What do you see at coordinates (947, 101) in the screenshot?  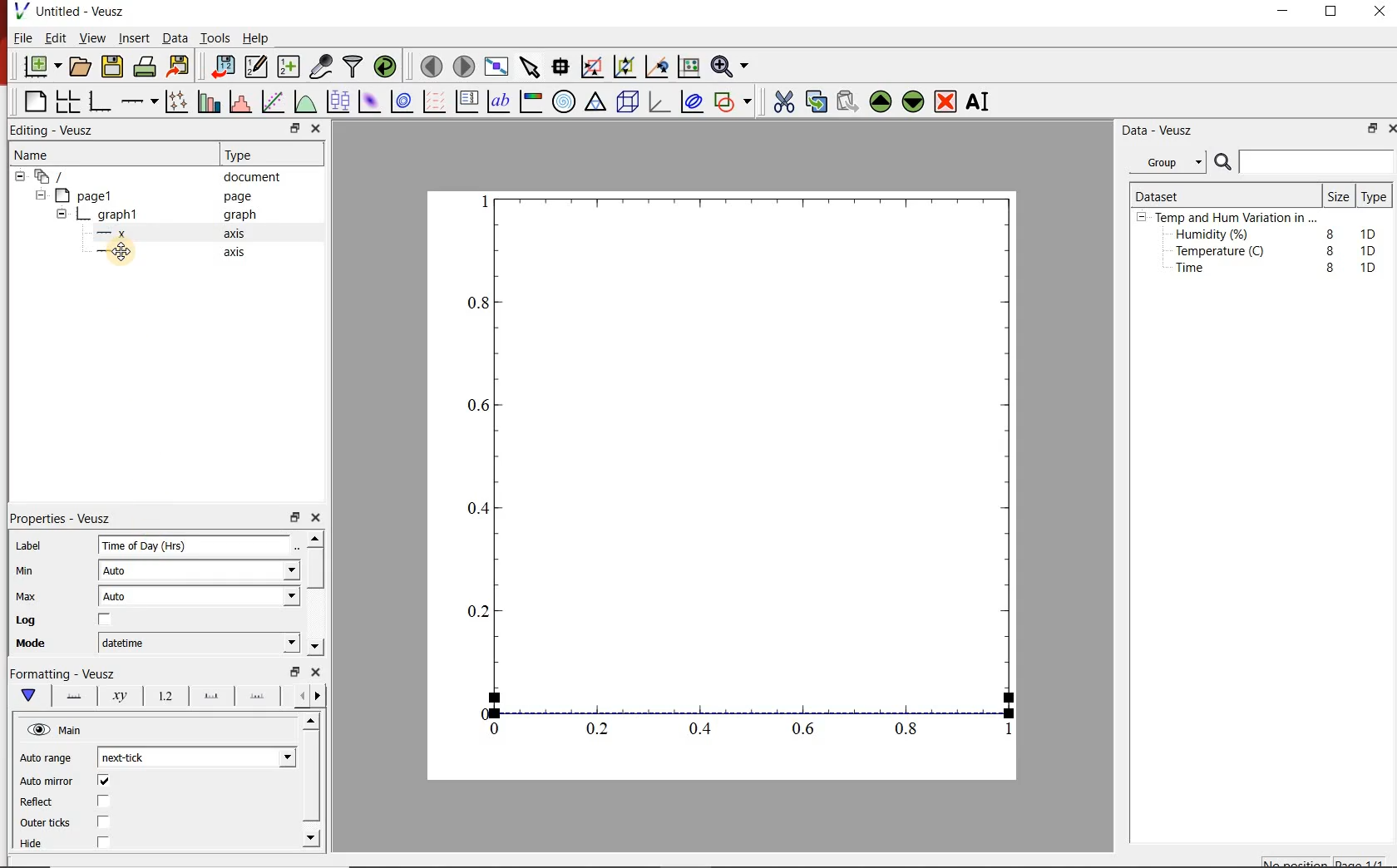 I see `Remove the selected widget` at bounding box center [947, 101].